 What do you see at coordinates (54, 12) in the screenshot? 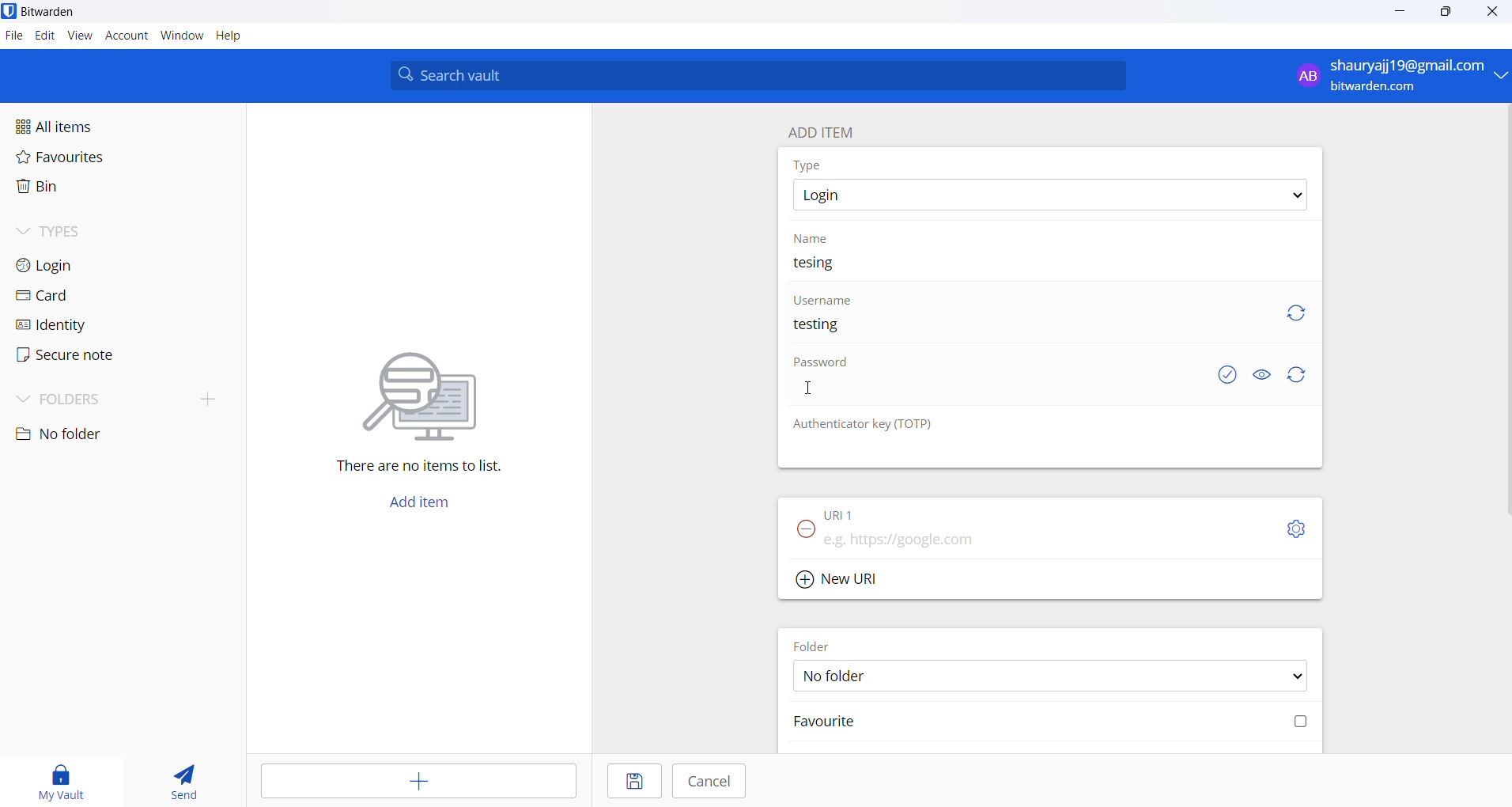
I see `Bitwarden` at bounding box center [54, 12].